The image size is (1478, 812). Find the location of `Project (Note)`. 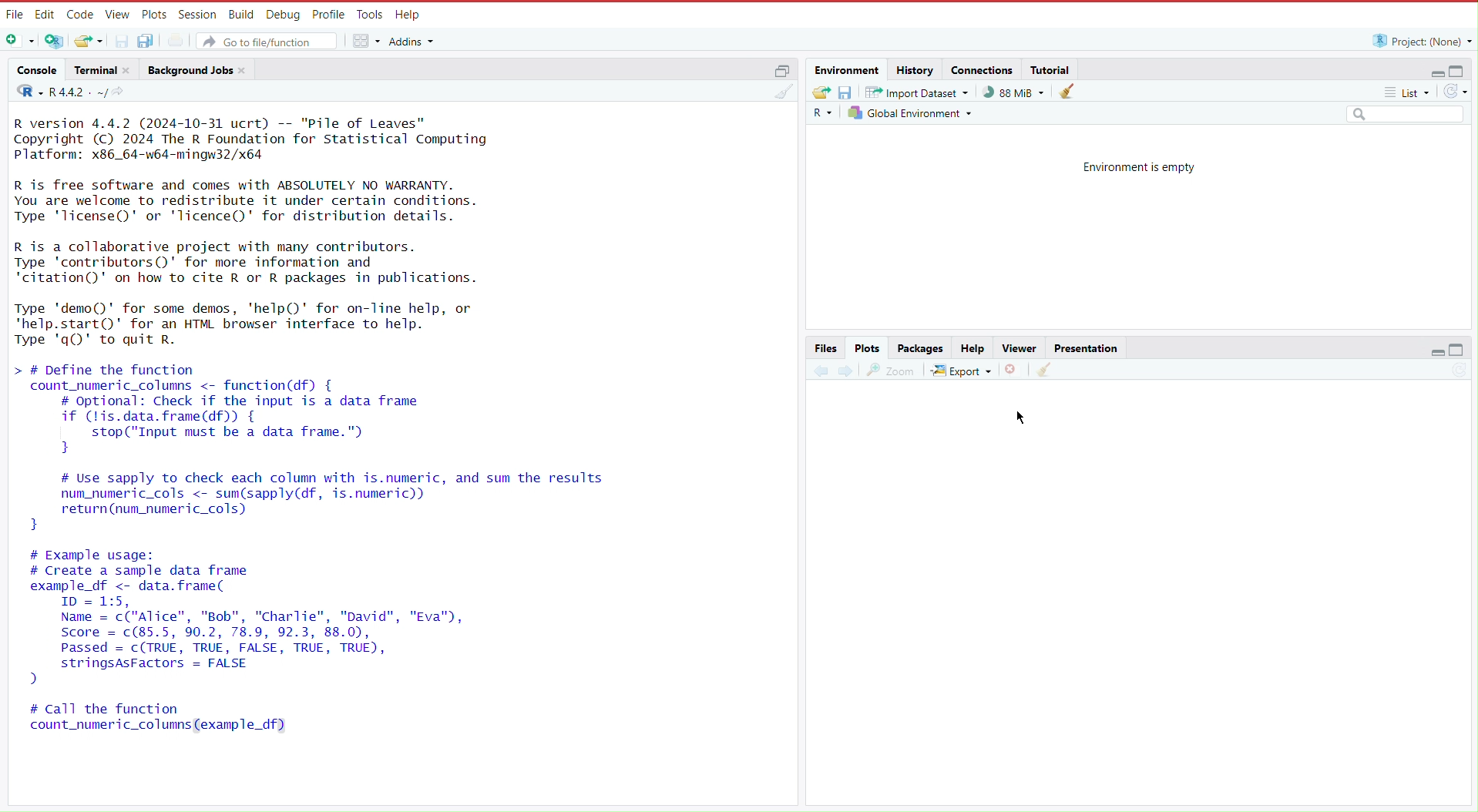

Project (Note) is located at coordinates (1418, 40).